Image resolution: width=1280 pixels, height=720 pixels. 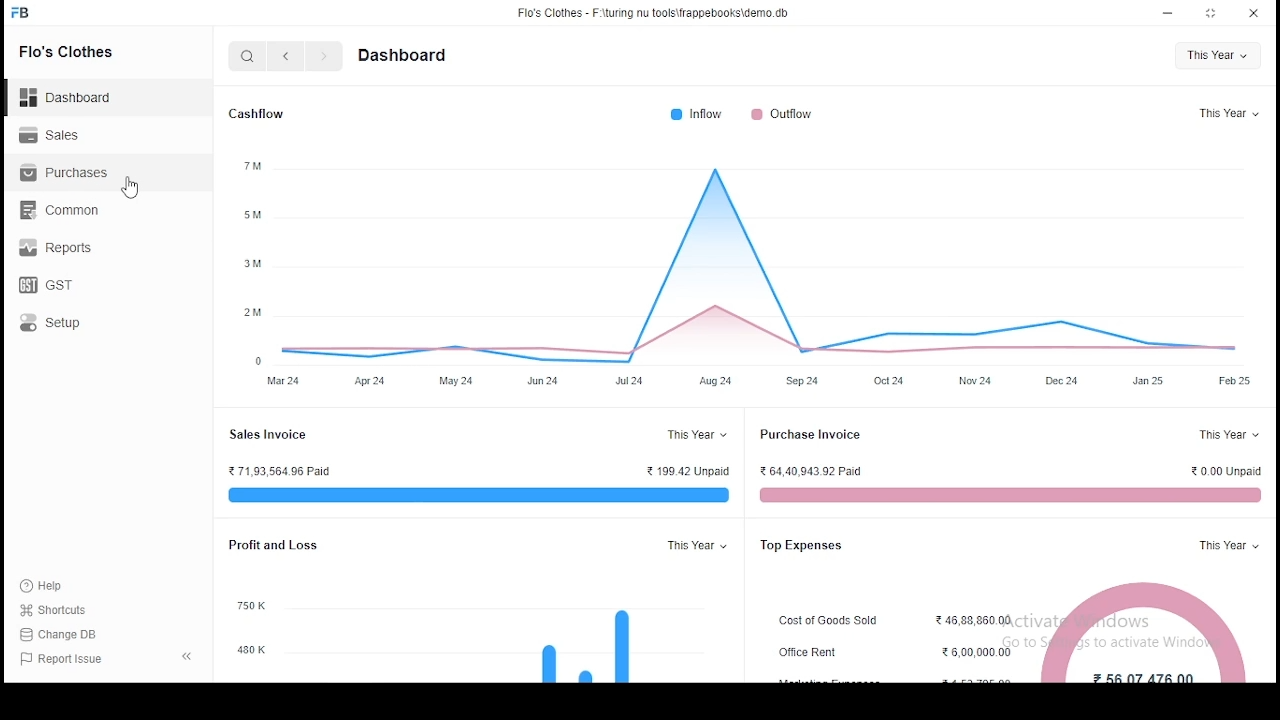 I want to click on jan 25, so click(x=1149, y=383).